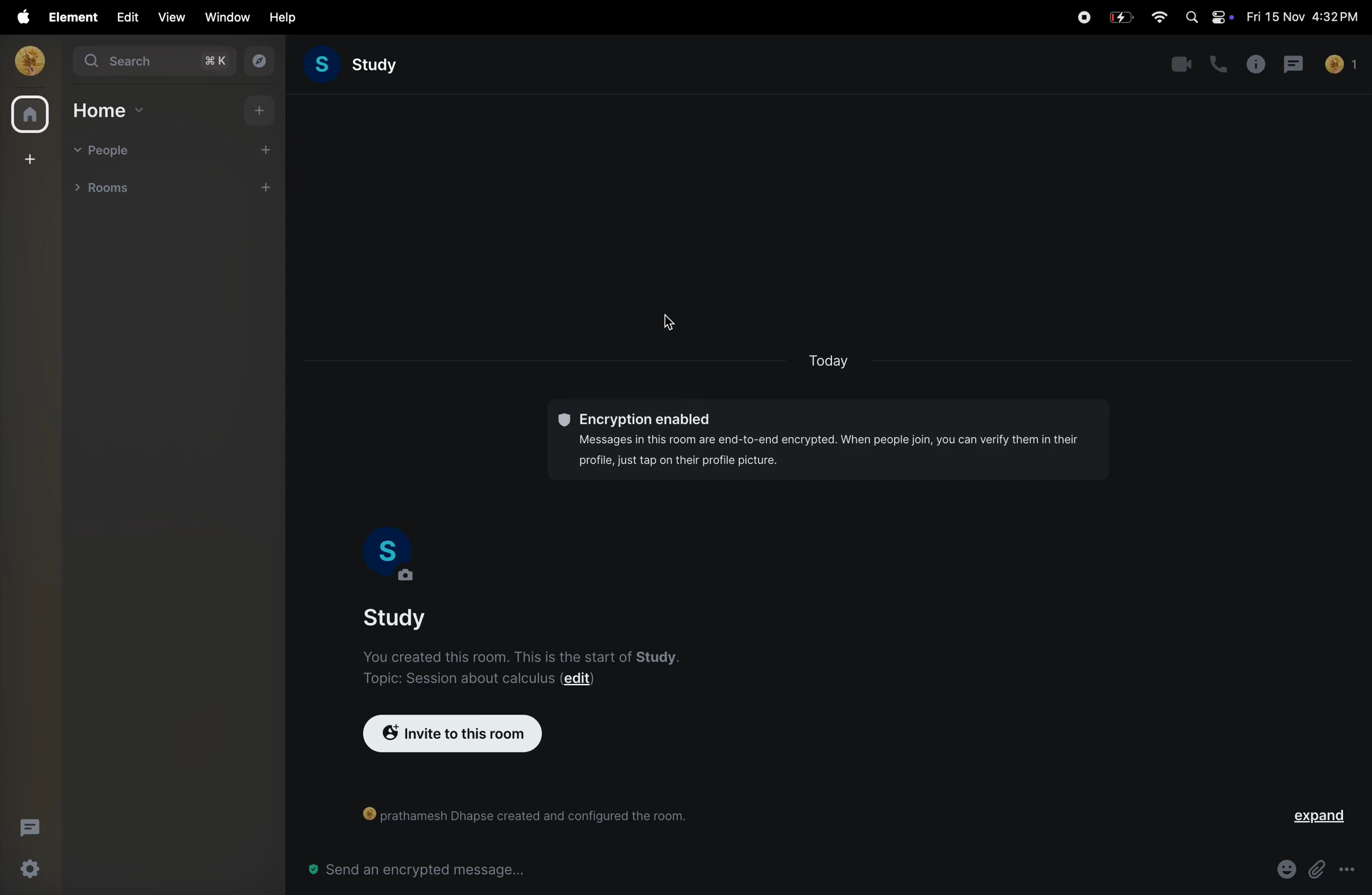  What do you see at coordinates (1122, 16) in the screenshot?
I see `battery` at bounding box center [1122, 16].